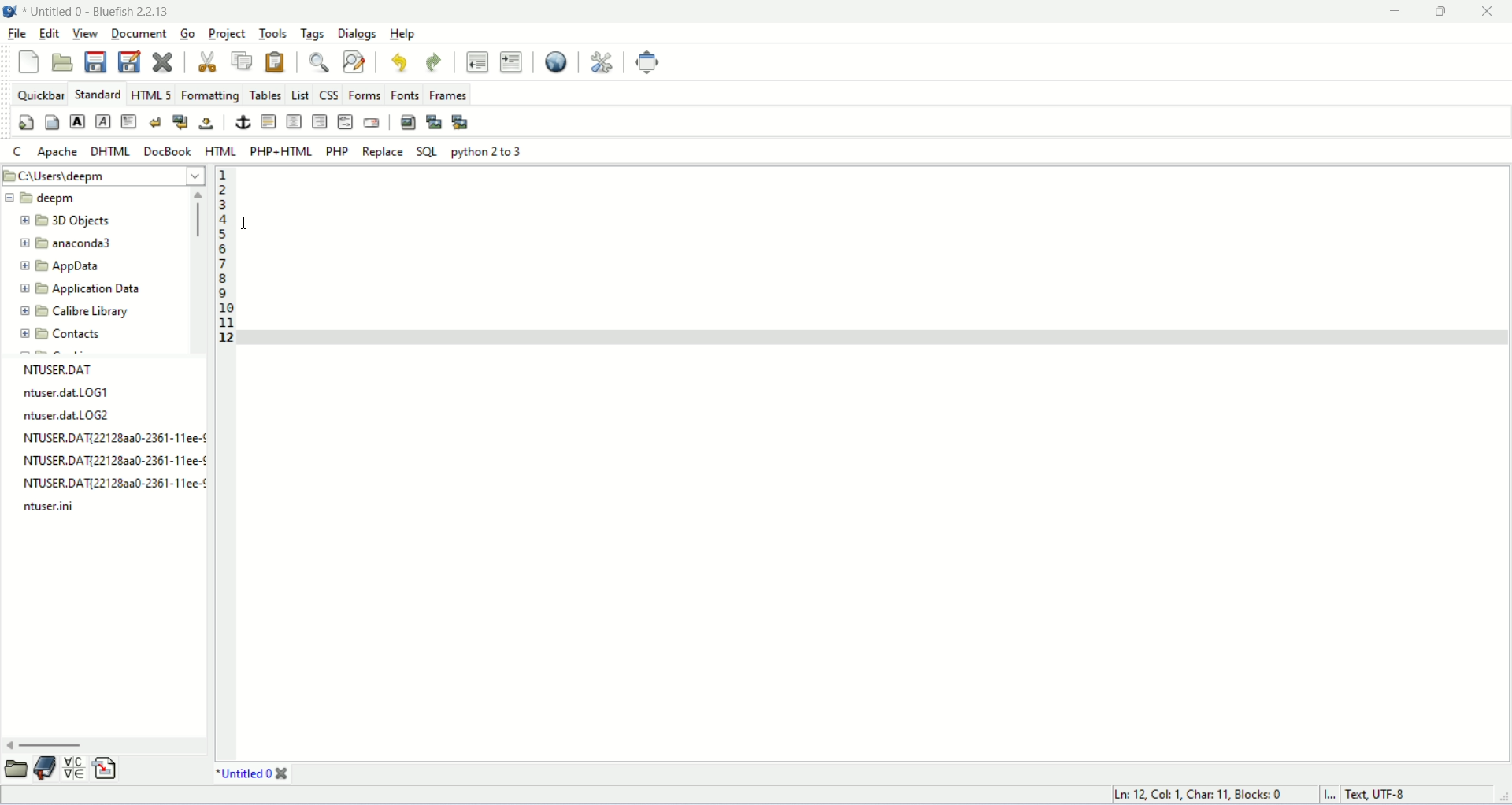  I want to click on paste, so click(276, 62).